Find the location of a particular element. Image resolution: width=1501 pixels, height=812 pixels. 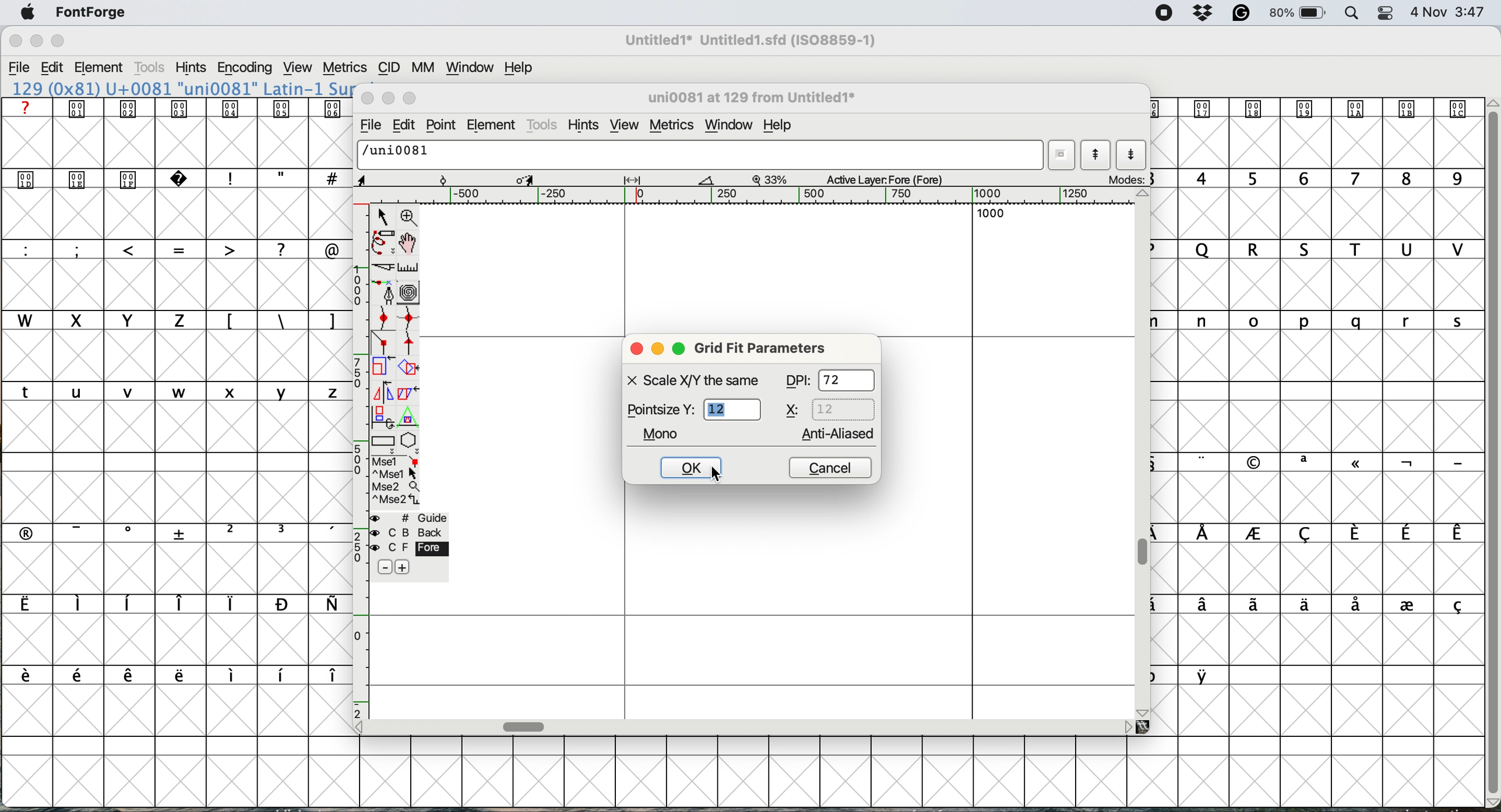

CID is located at coordinates (389, 69).